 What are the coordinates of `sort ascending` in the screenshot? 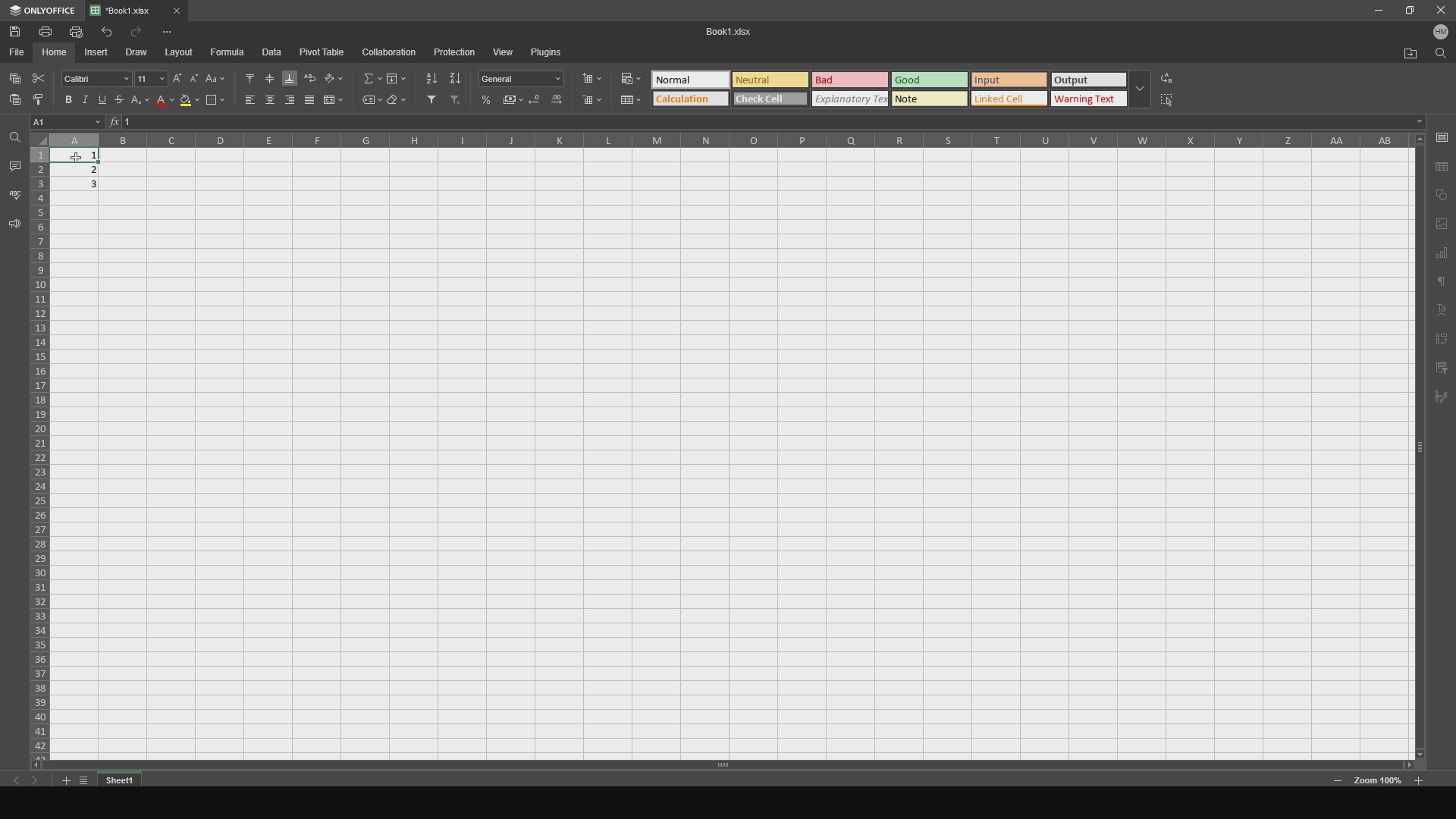 It's located at (428, 76).